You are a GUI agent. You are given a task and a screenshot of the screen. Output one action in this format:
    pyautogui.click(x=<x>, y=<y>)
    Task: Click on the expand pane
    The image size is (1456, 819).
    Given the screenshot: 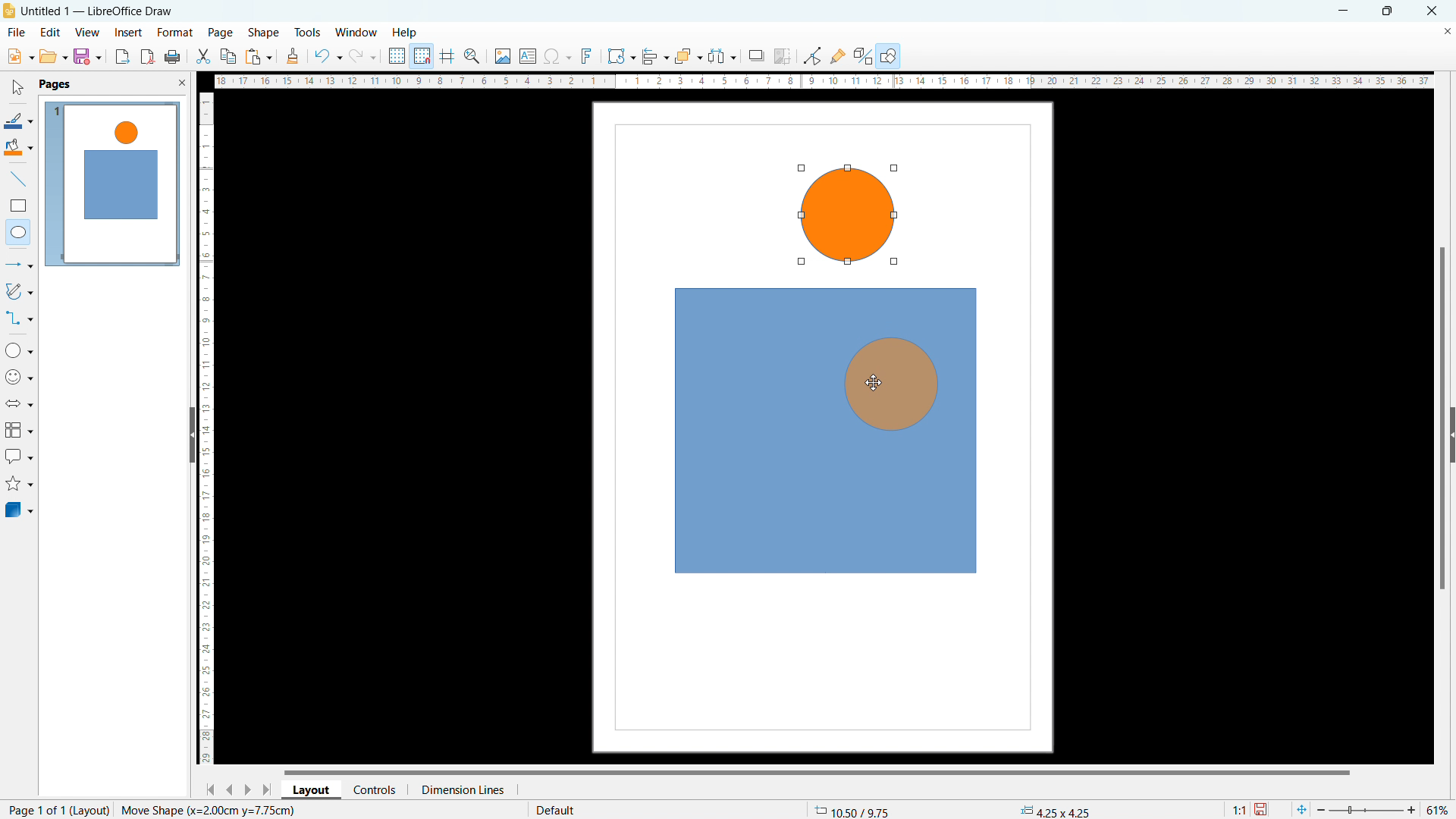 What is the action you would take?
    pyautogui.click(x=1451, y=435)
    